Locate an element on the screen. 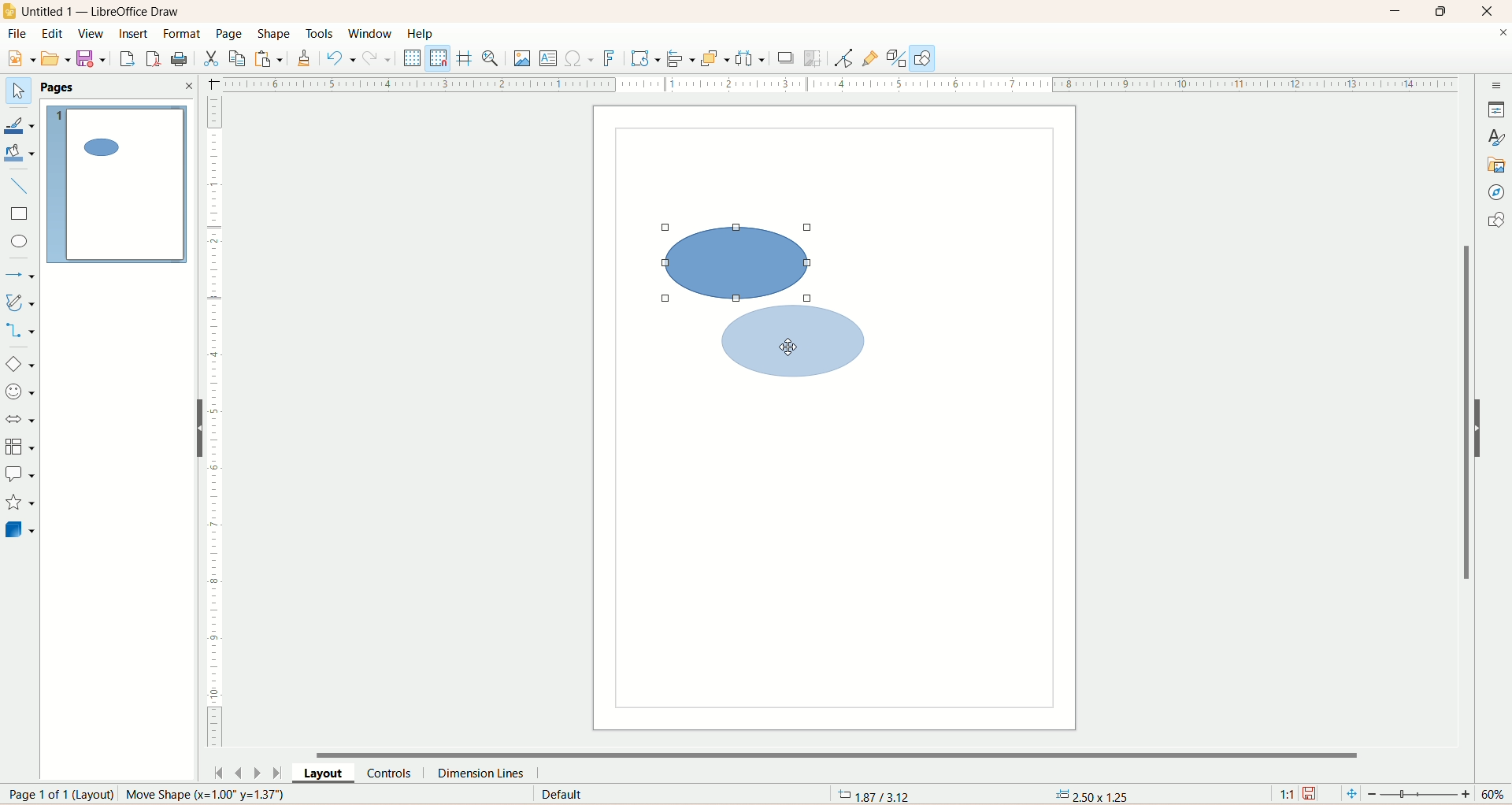 This screenshot has height=805, width=1512. 3D shapes is located at coordinates (21, 529).